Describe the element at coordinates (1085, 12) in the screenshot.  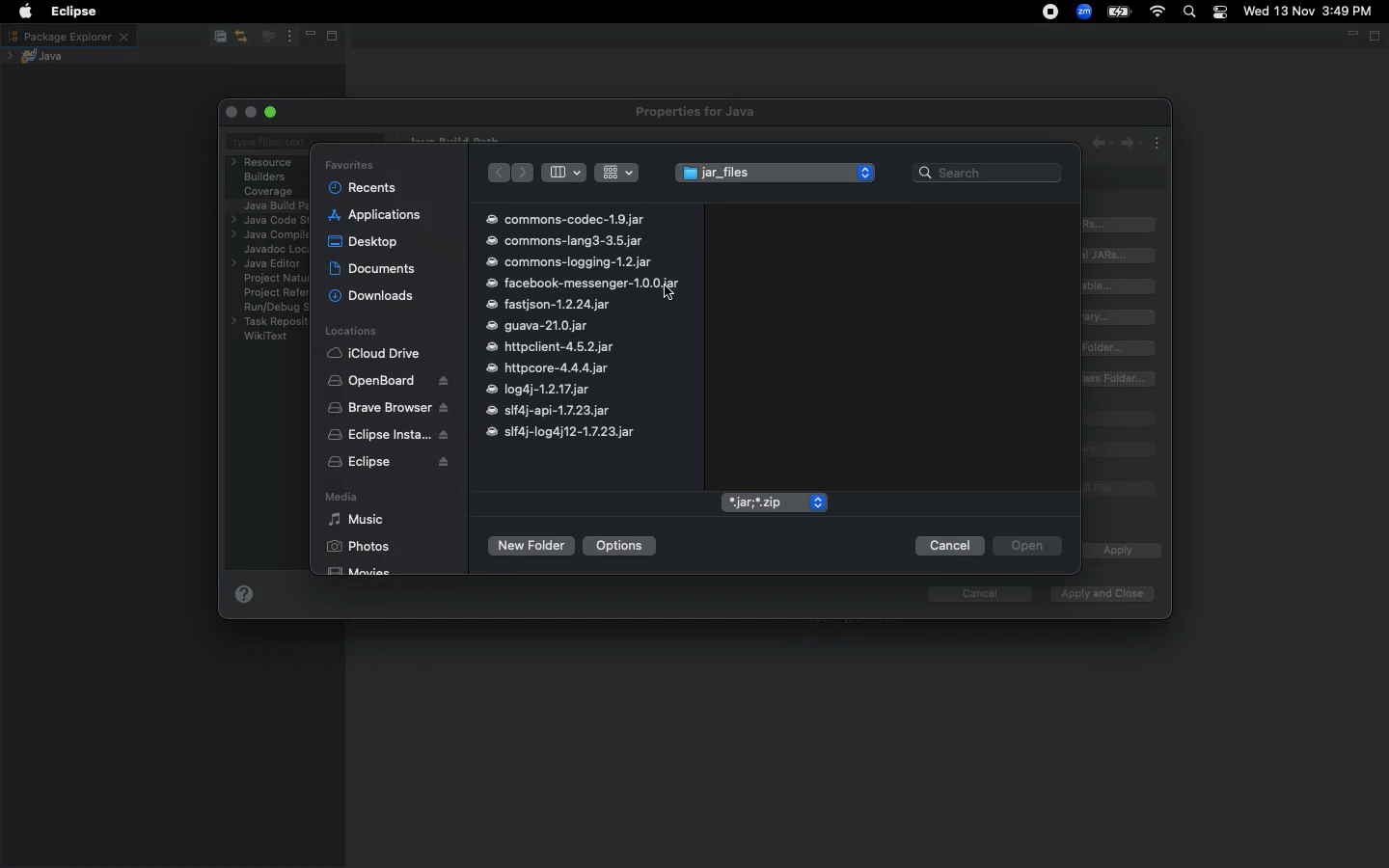
I see `Zoom` at that location.